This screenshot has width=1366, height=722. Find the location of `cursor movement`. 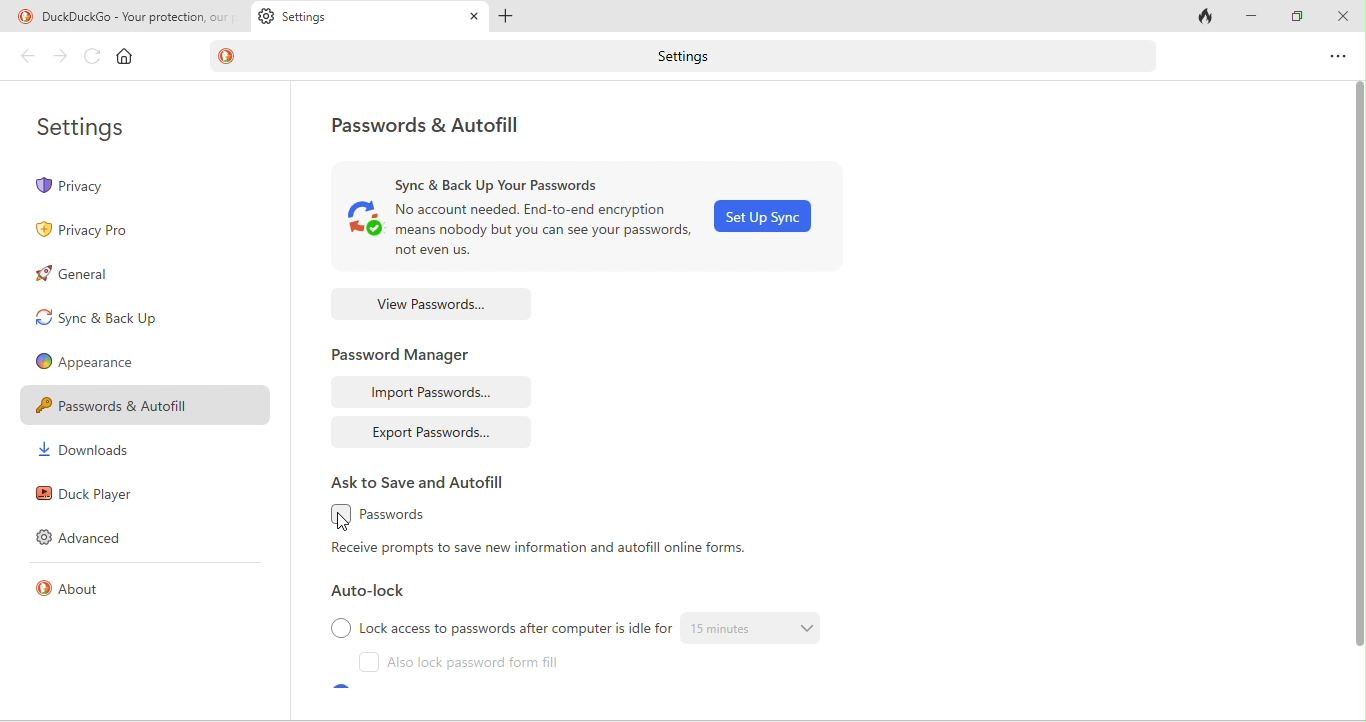

cursor movement is located at coordinates (345, 522).